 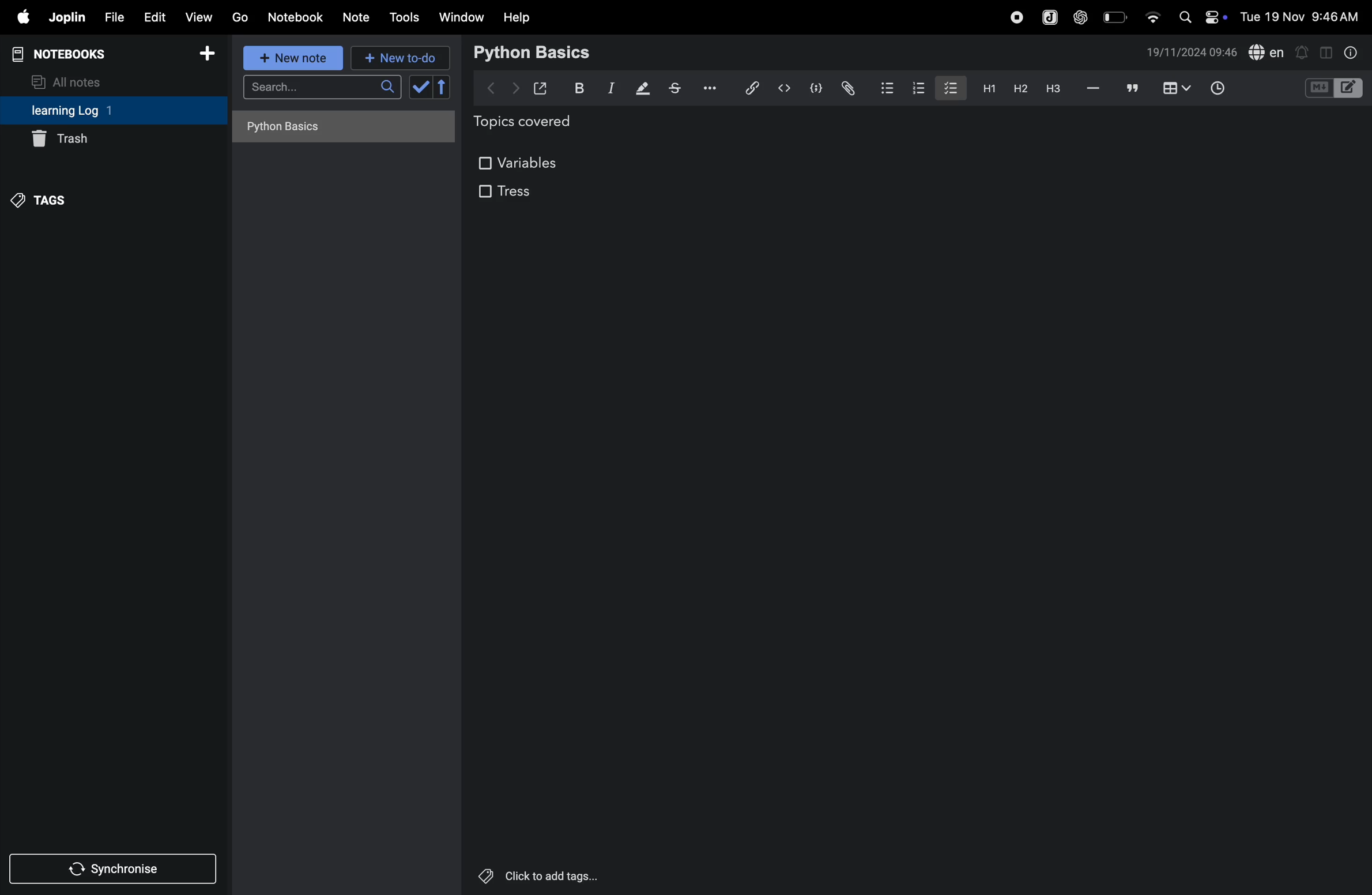 I want to click on go, so click(x=239, y=17).